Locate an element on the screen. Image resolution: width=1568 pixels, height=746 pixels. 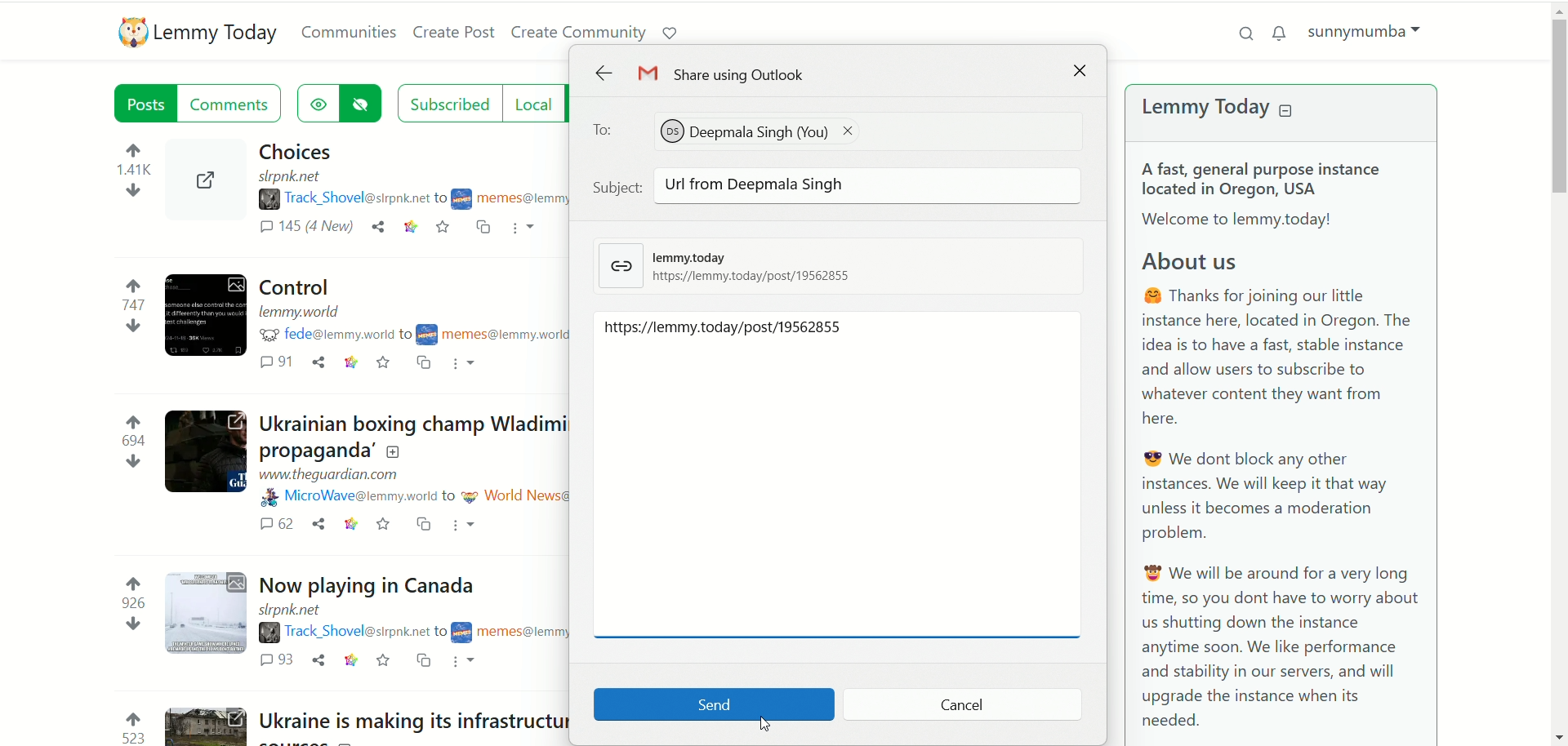
more is located at coordinates (462, 662).